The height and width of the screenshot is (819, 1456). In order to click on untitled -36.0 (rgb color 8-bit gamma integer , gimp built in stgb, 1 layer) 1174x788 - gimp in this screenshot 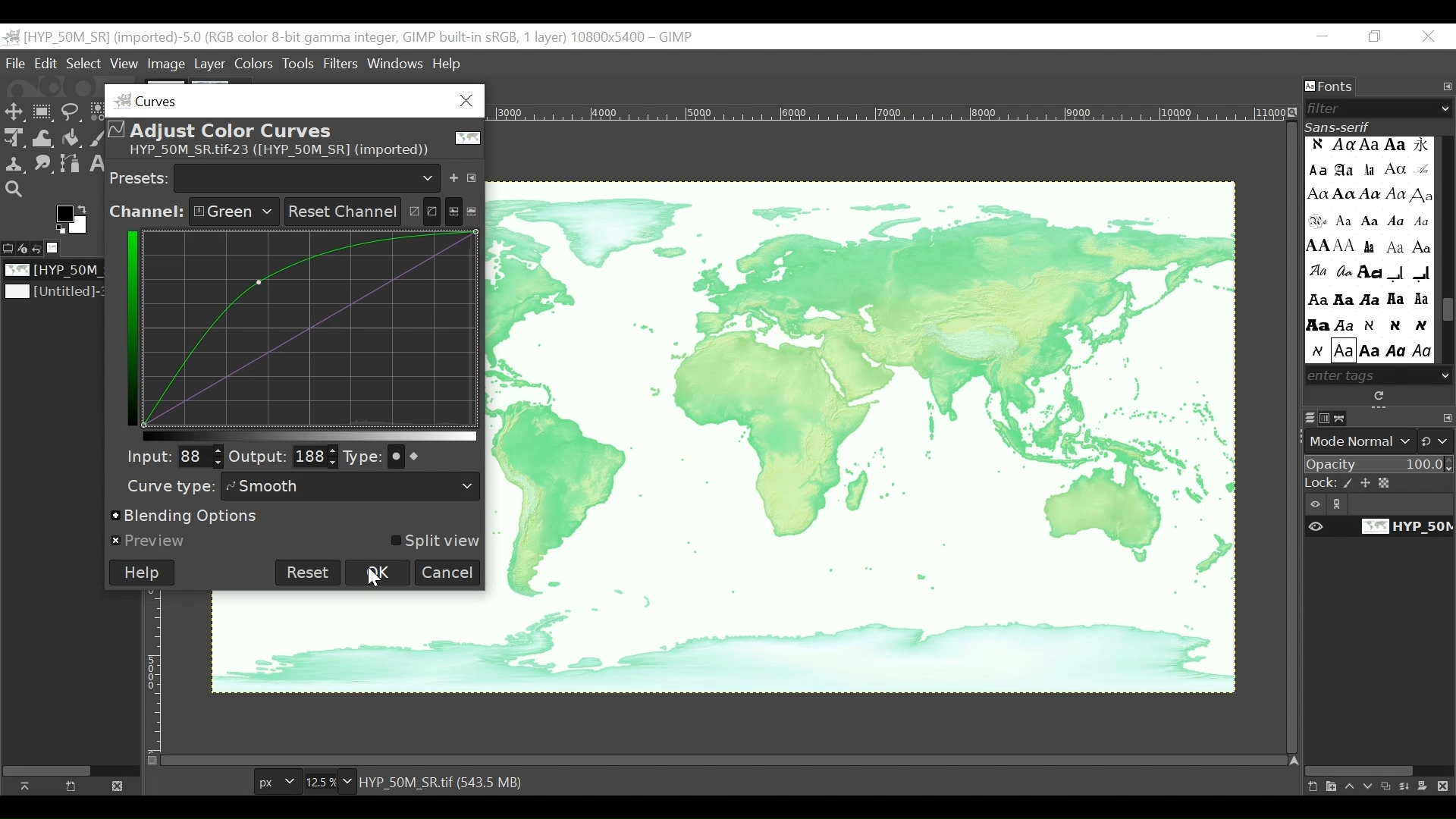, I will do `click(350, 36)`.